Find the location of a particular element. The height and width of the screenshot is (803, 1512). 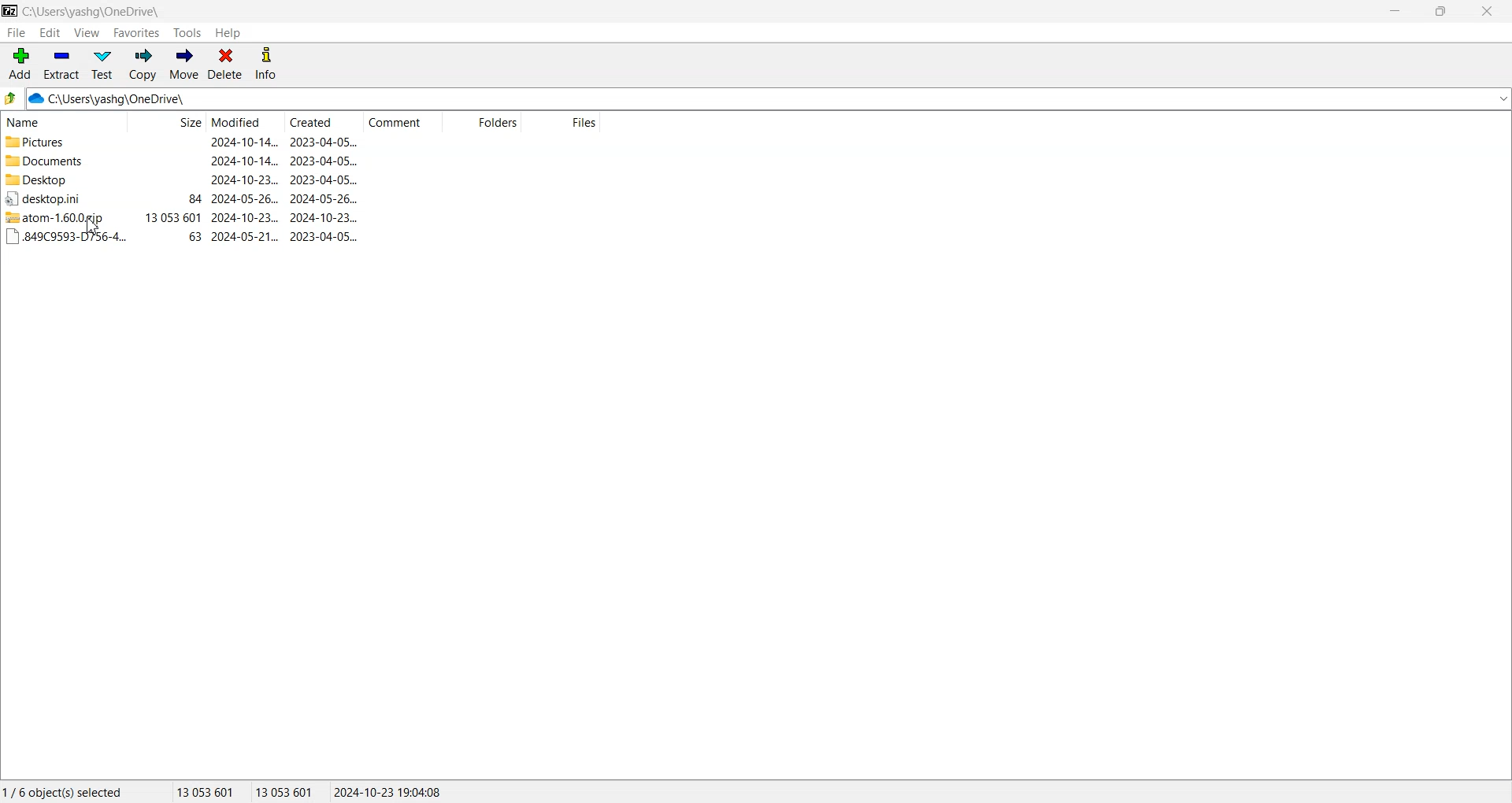

2024-10-23 is located at coordinates (245, 217).